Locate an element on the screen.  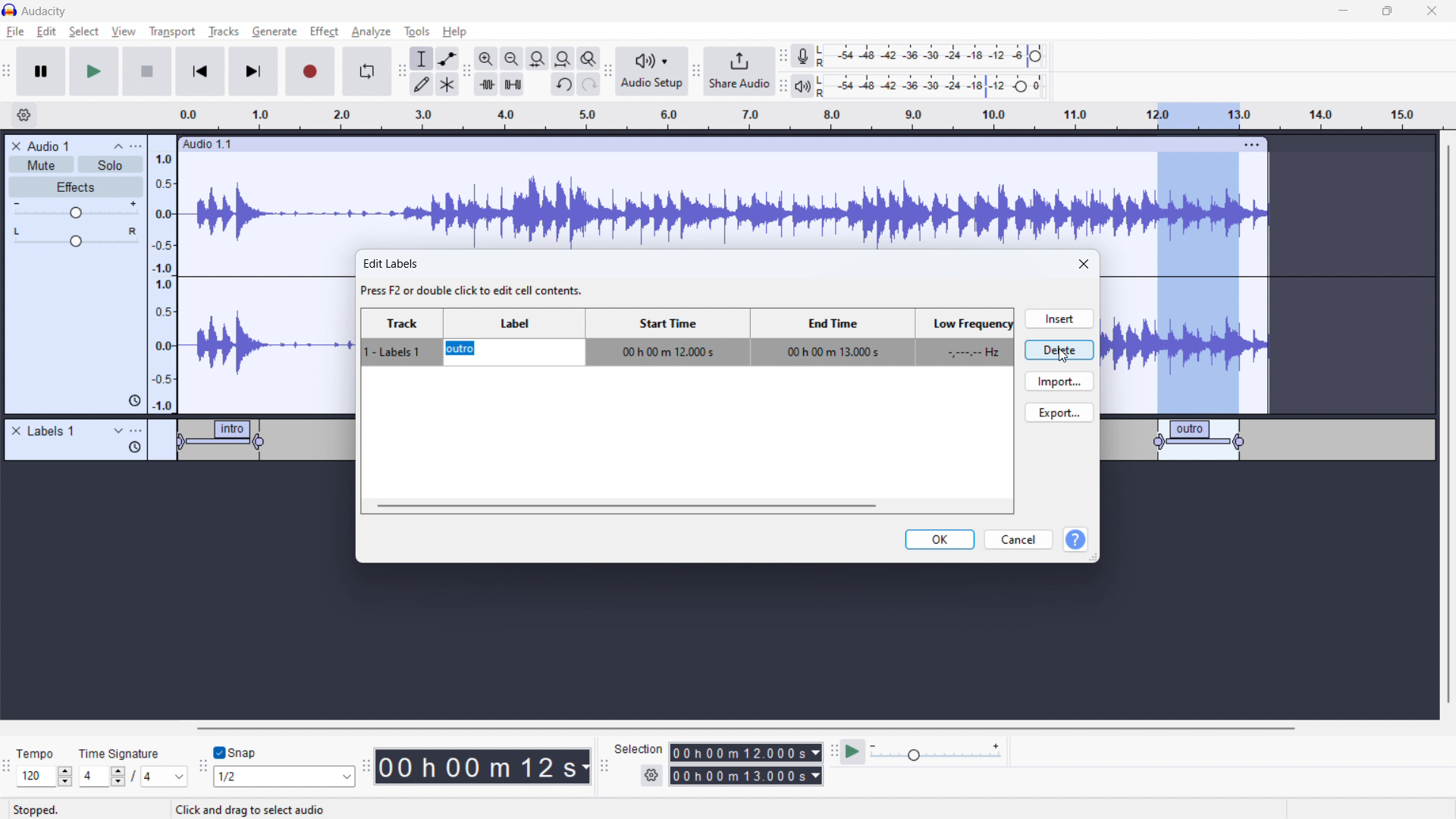
gain is located at coordinates (76, 210).